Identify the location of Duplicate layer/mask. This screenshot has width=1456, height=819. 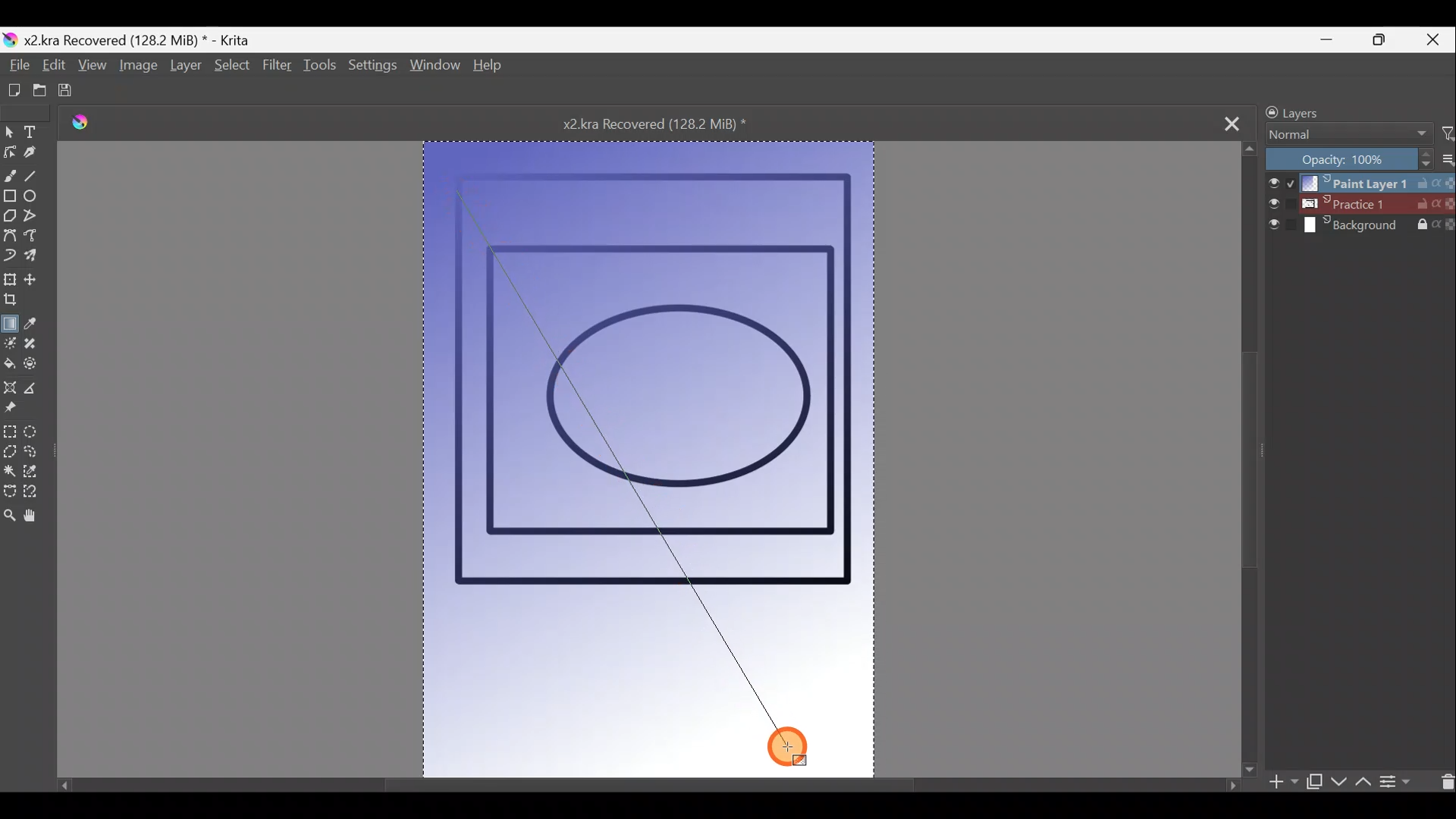
(1314, 785).